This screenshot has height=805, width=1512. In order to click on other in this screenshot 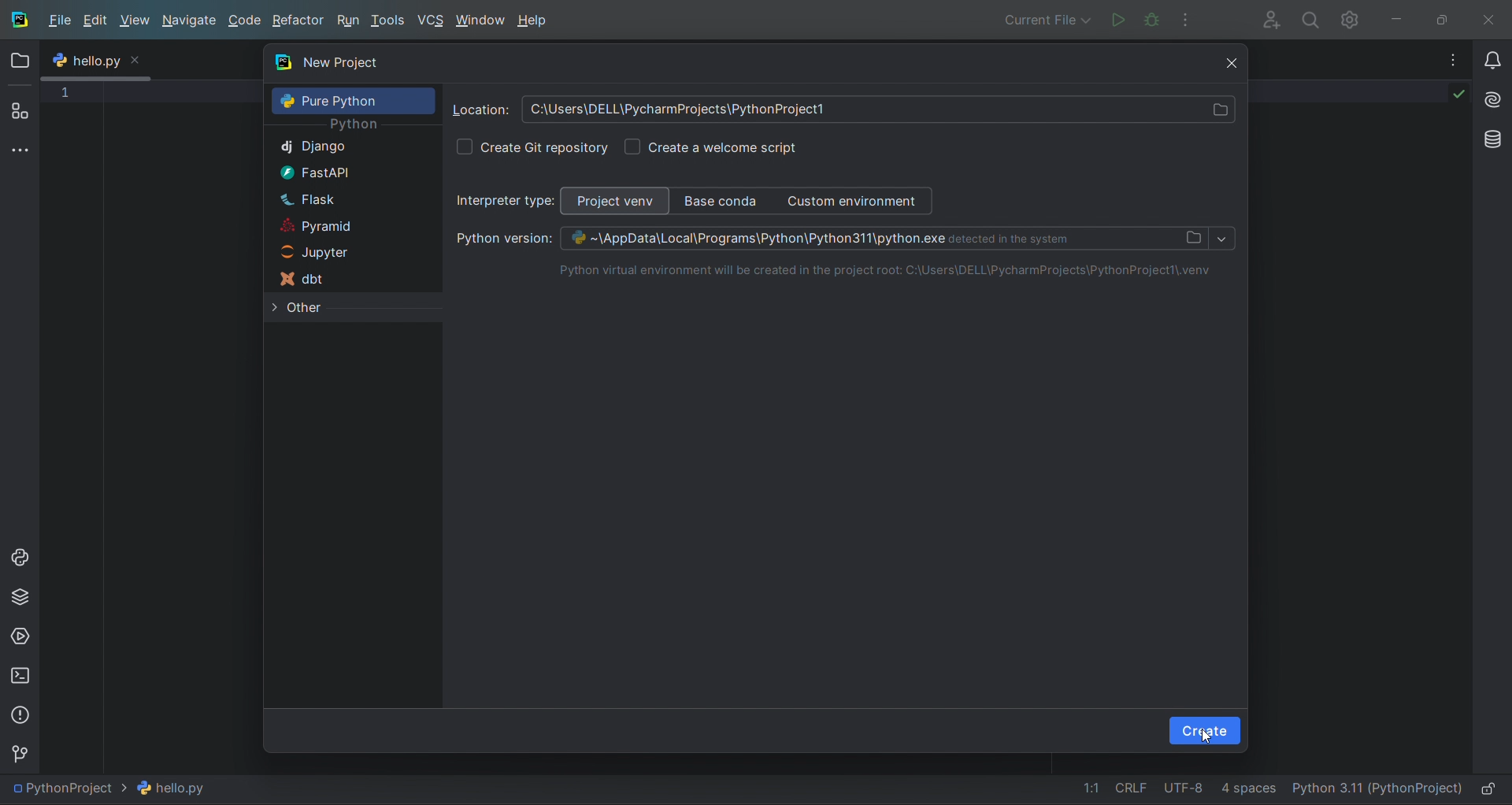, I will do `click(350, 308)`.